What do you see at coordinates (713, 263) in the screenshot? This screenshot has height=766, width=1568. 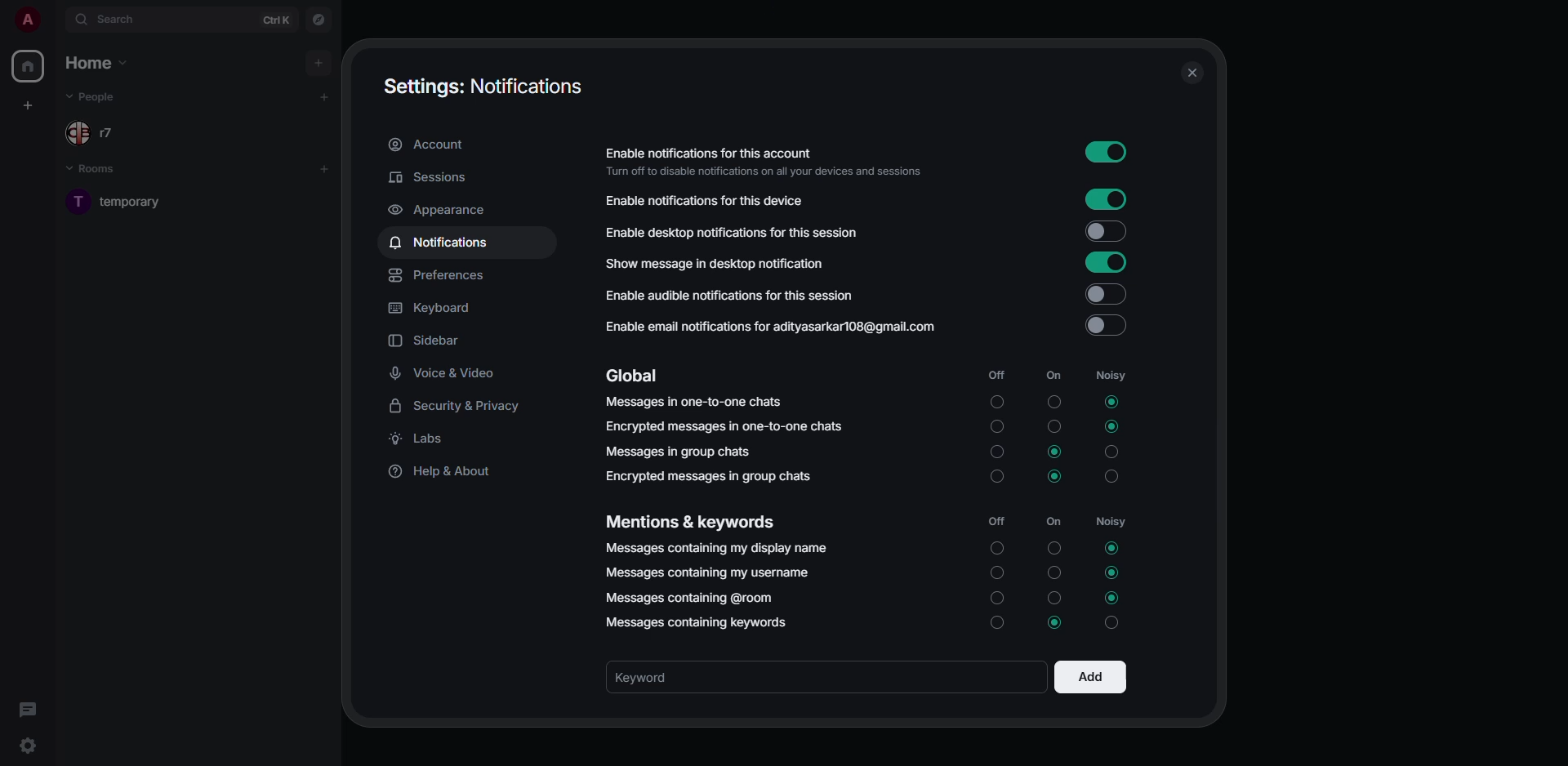 I see `show message in desktop notification` at bounding box center [713, 263].